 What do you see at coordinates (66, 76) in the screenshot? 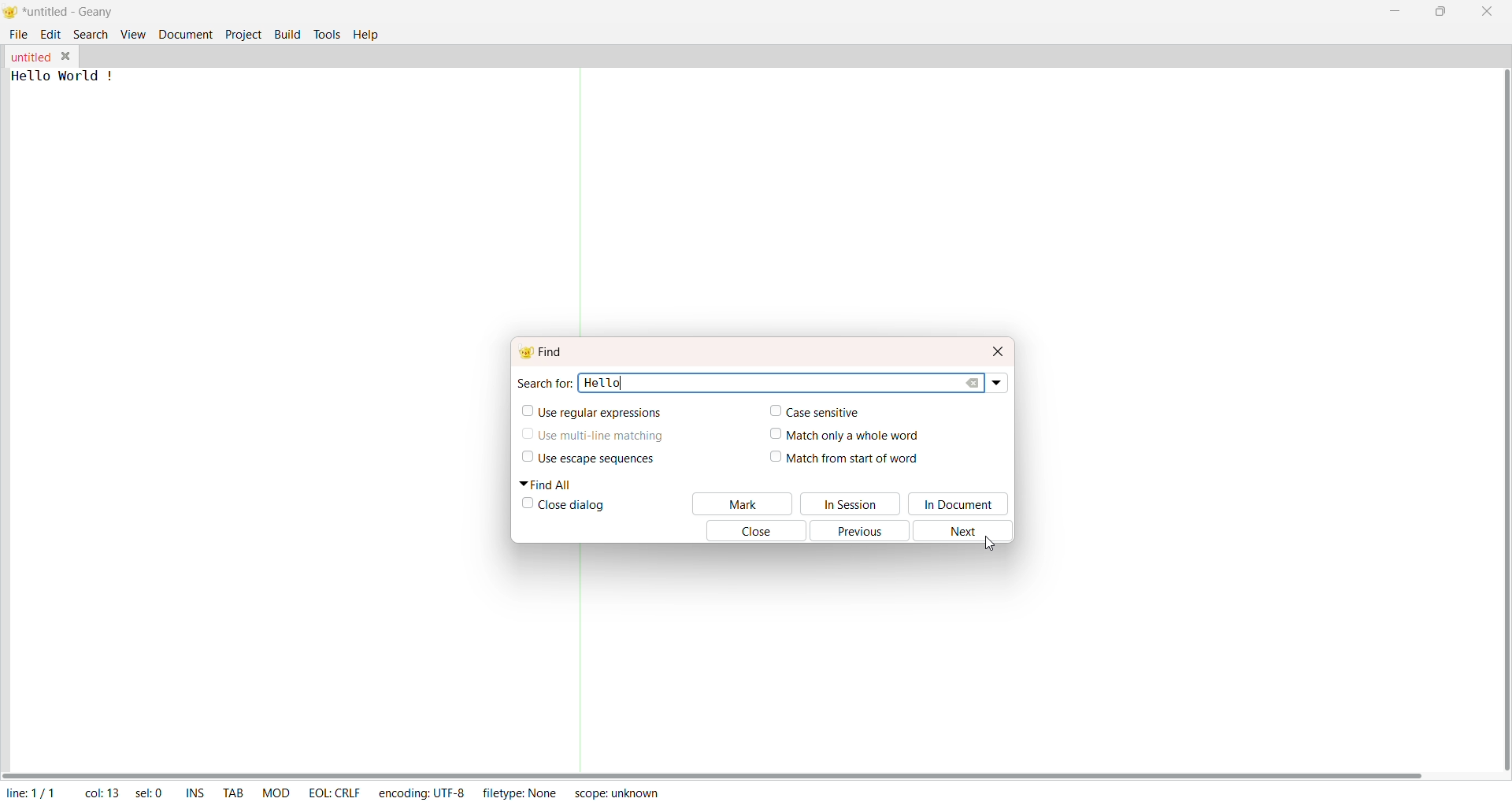
I see `Hello world !` at bounding box center [66, 76].